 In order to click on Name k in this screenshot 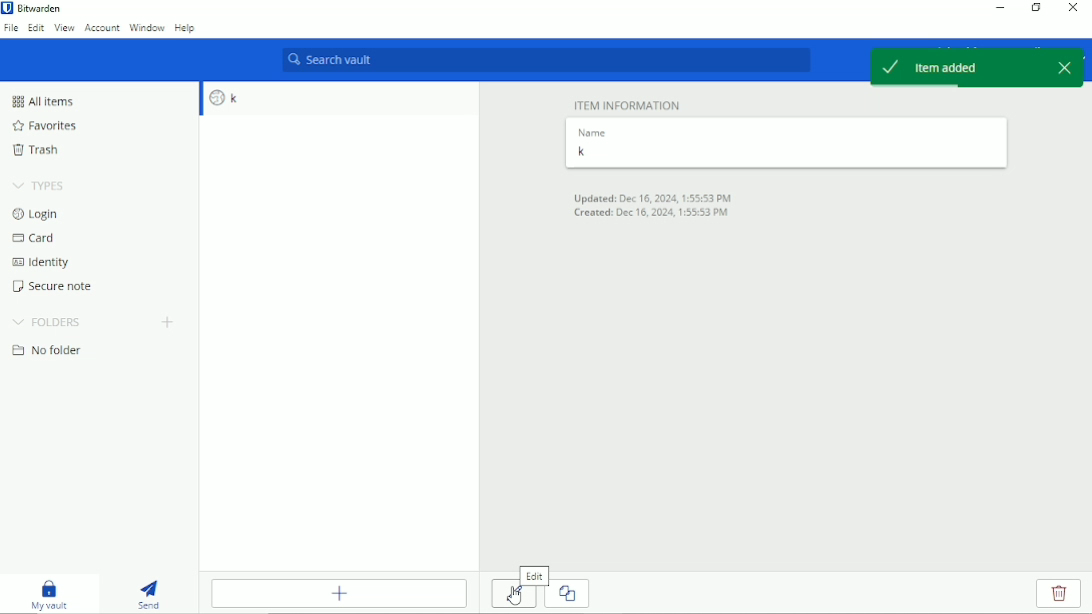, I will do `click(786, 143)`.